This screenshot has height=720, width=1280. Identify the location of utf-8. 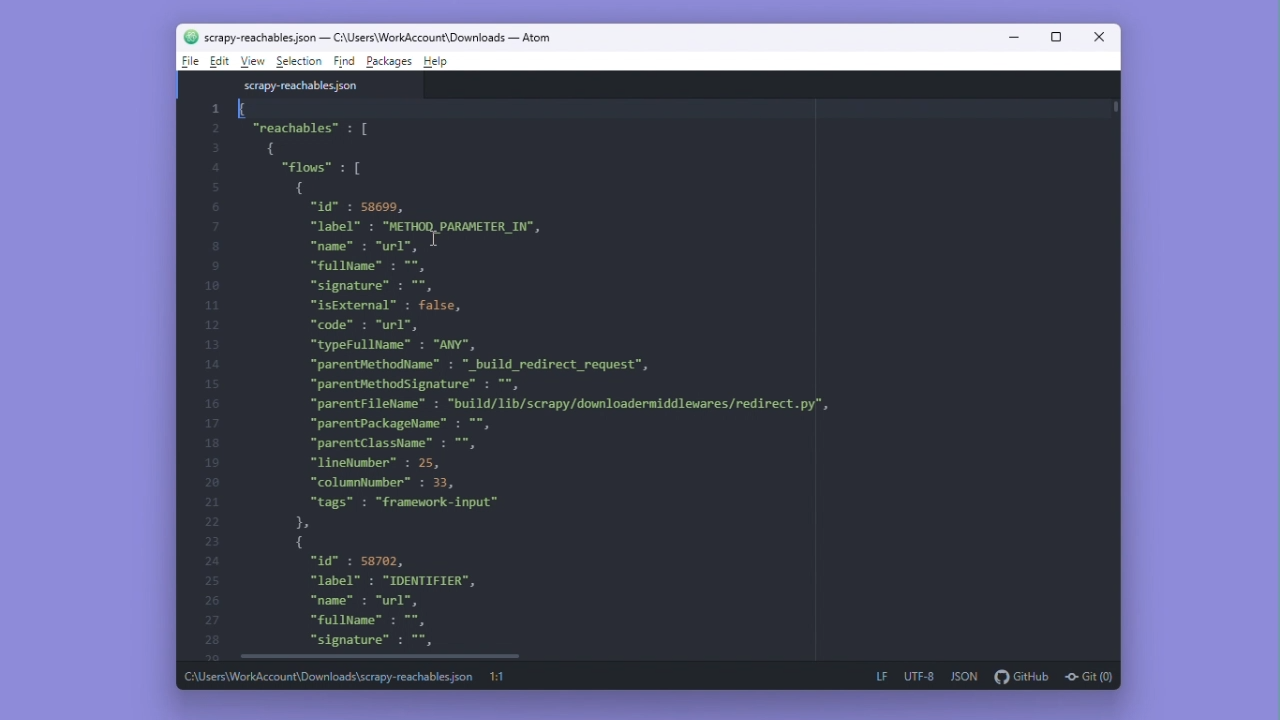
(921, 678).